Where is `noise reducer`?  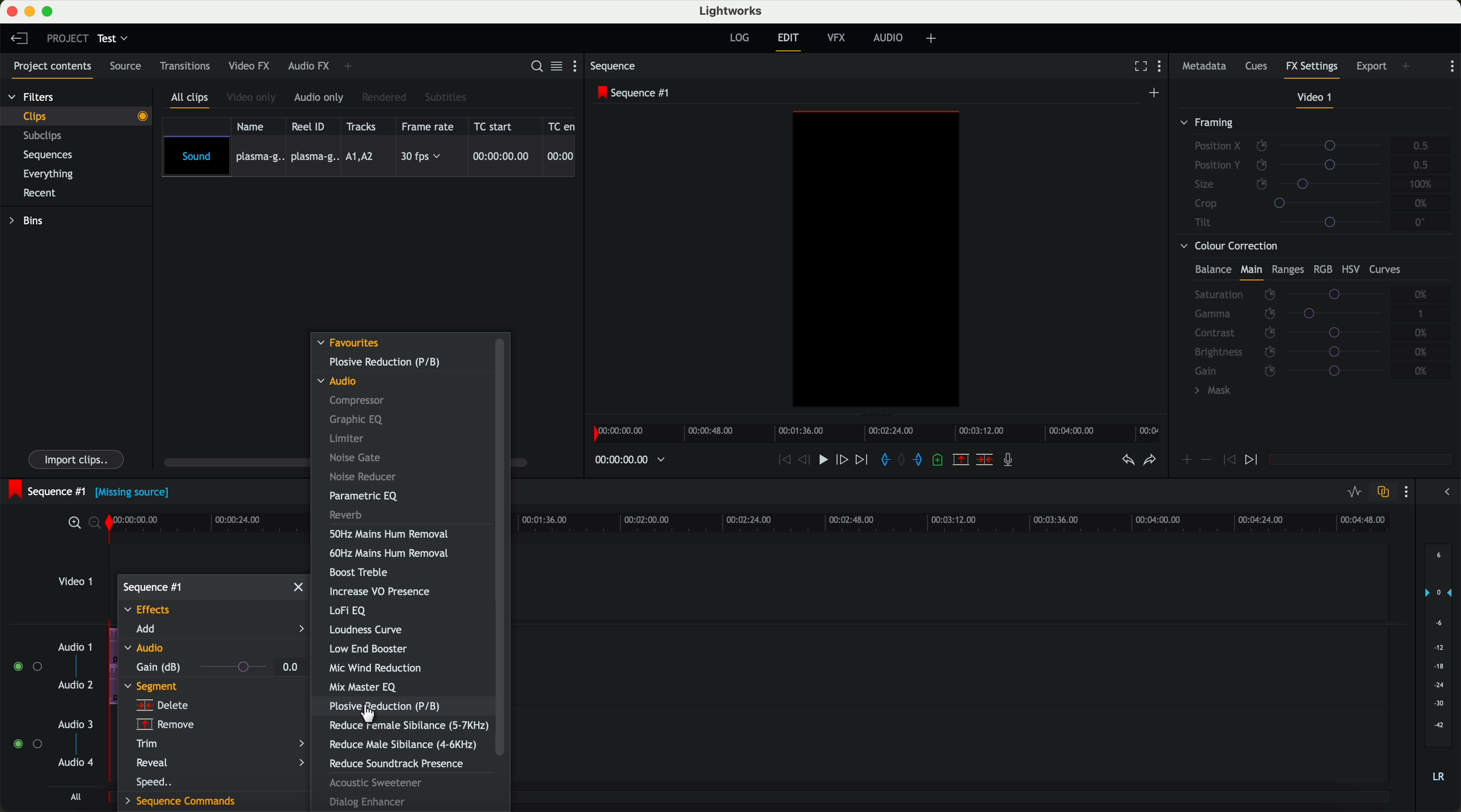
noise reducer is located at coordinates (366, 477).